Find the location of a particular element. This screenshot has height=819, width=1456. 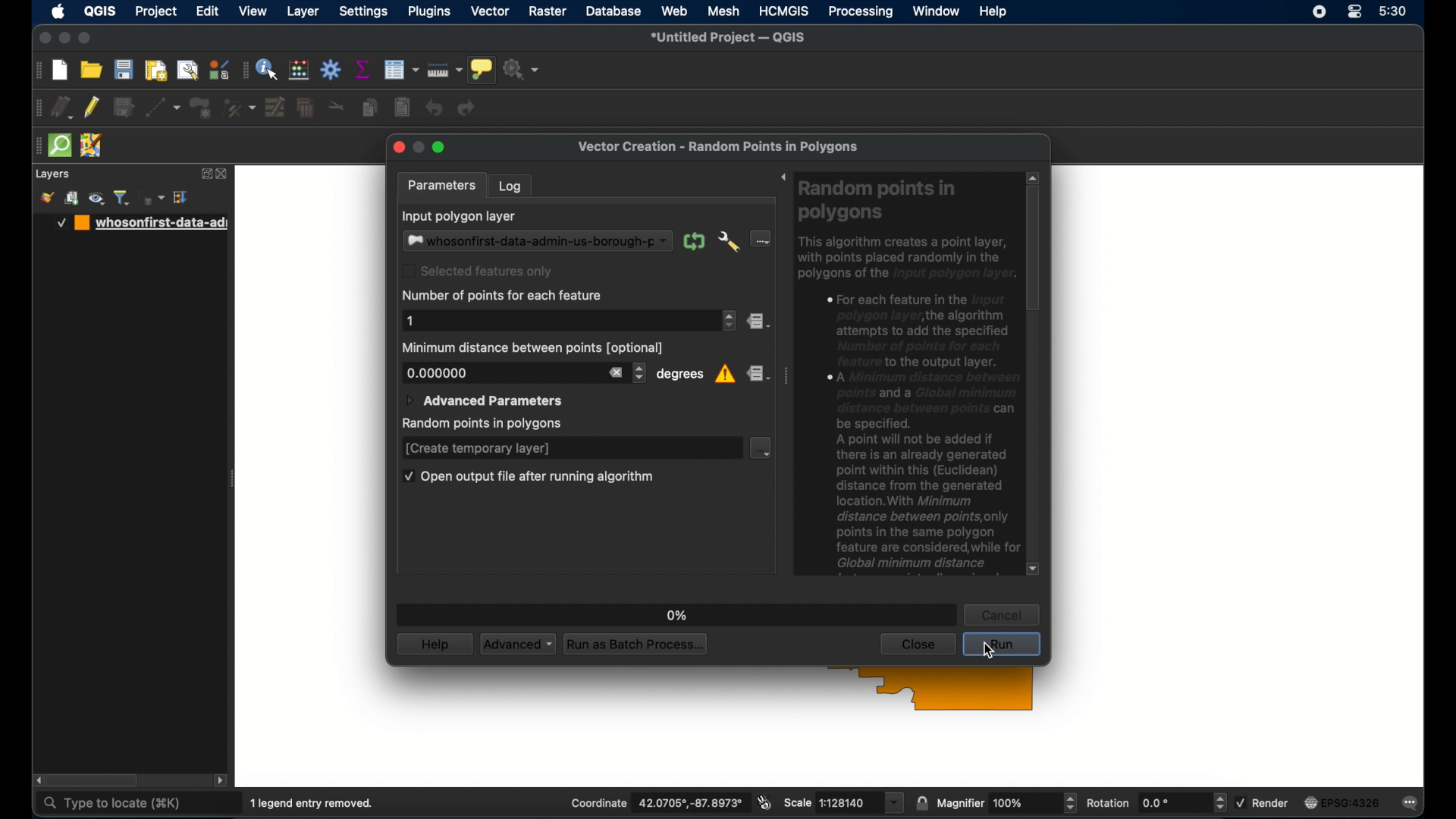

add group is located at coordinates (73, 198).